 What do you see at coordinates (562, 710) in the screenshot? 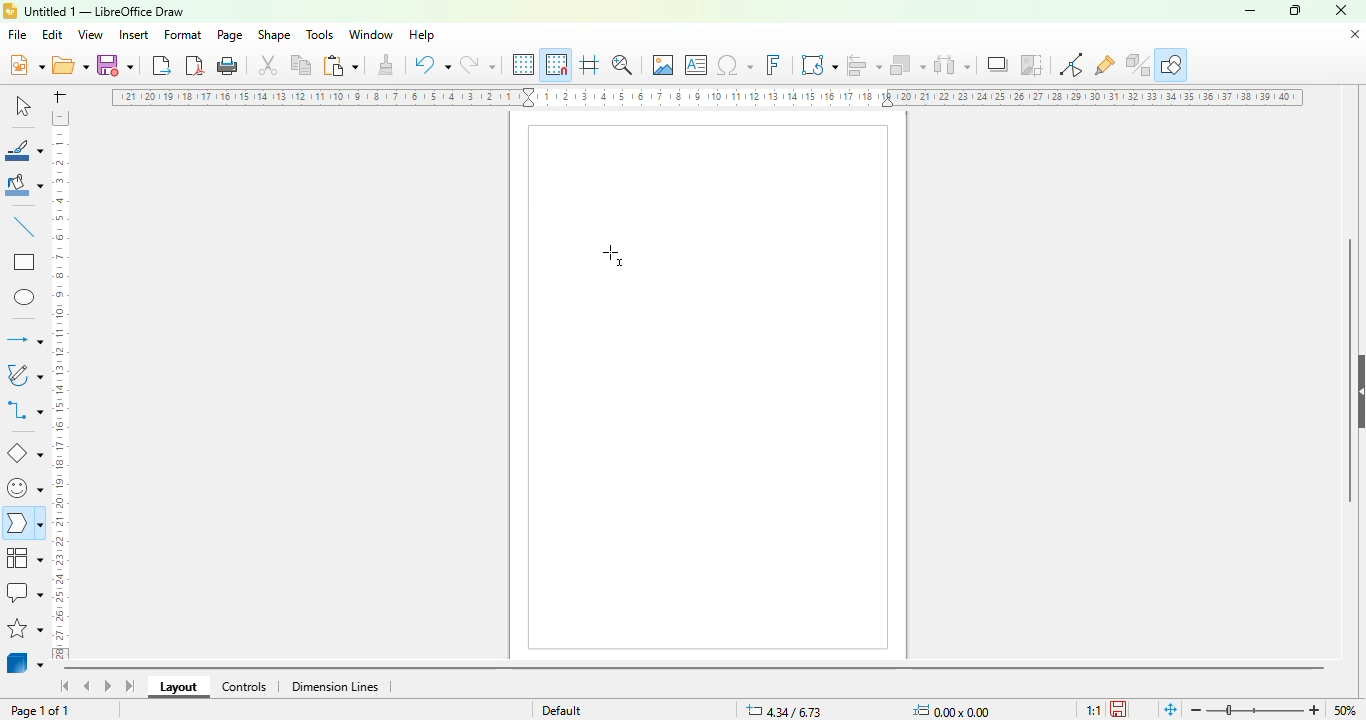
I see `default` at bounding box center [562, 710].